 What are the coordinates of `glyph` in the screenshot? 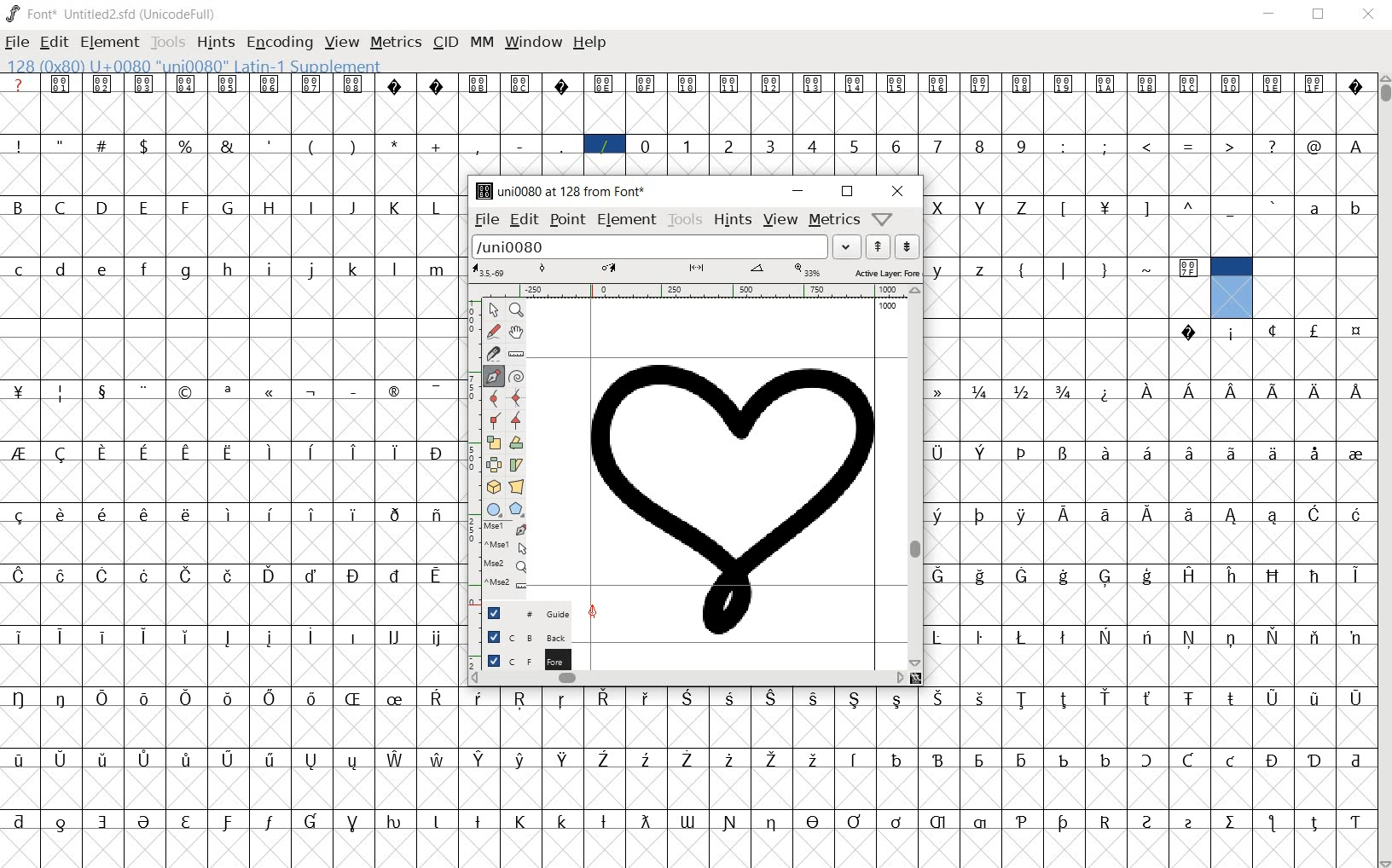 It's located at (647, 761).